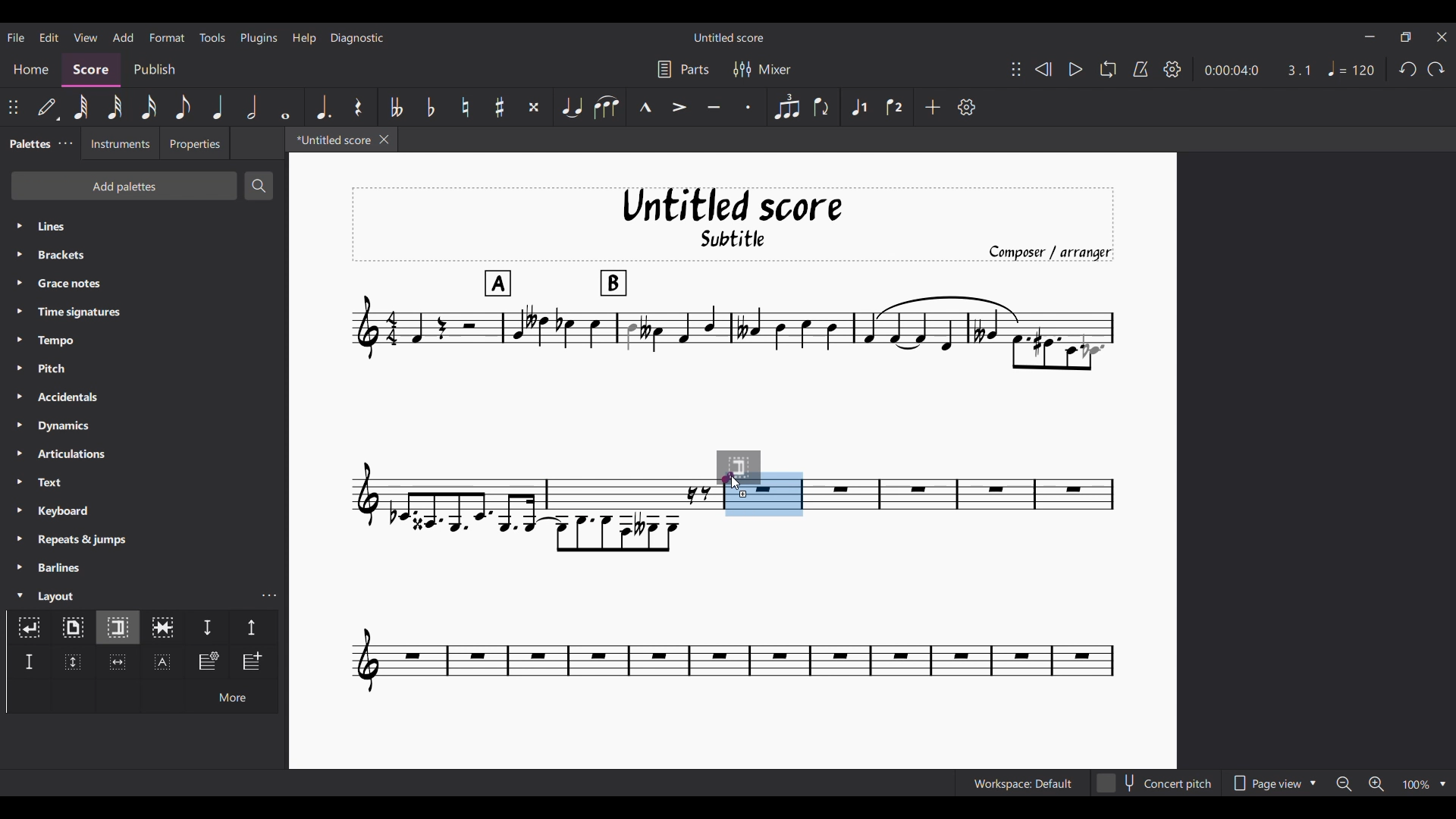  Describe the element at coordinates (86, 38) in the screenshot. I see `View menu` at that location.